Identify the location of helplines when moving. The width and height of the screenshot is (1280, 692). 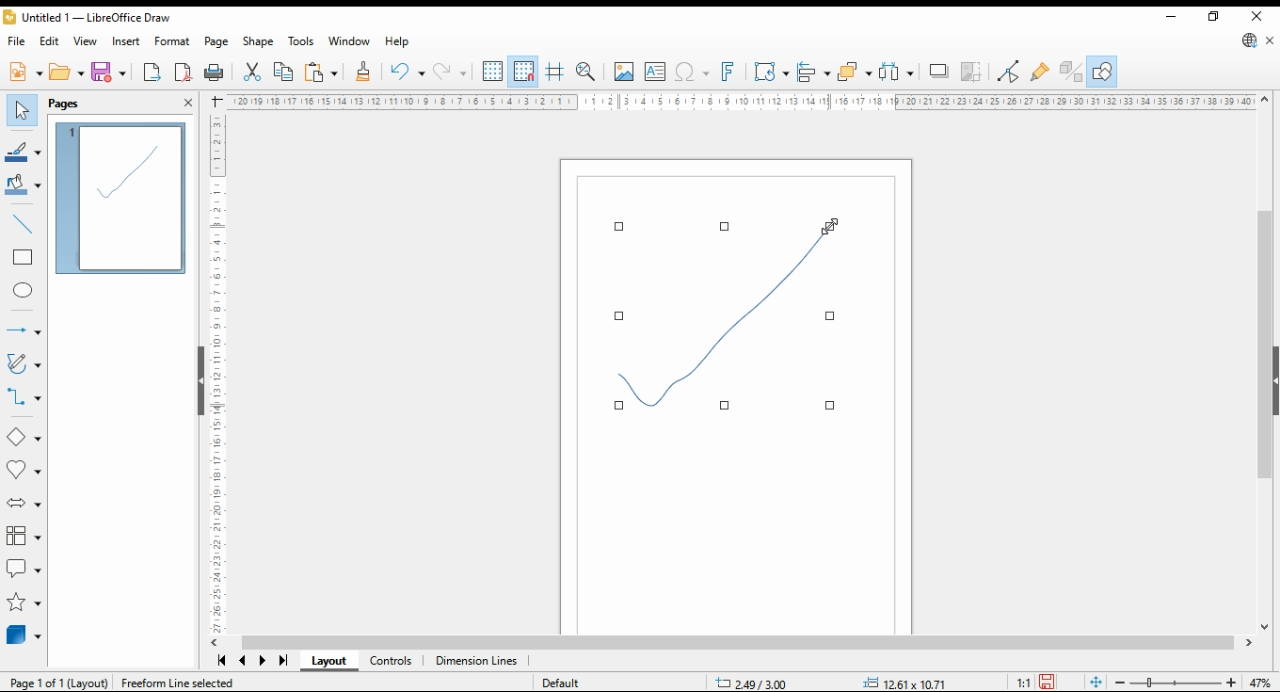
(556, 72).